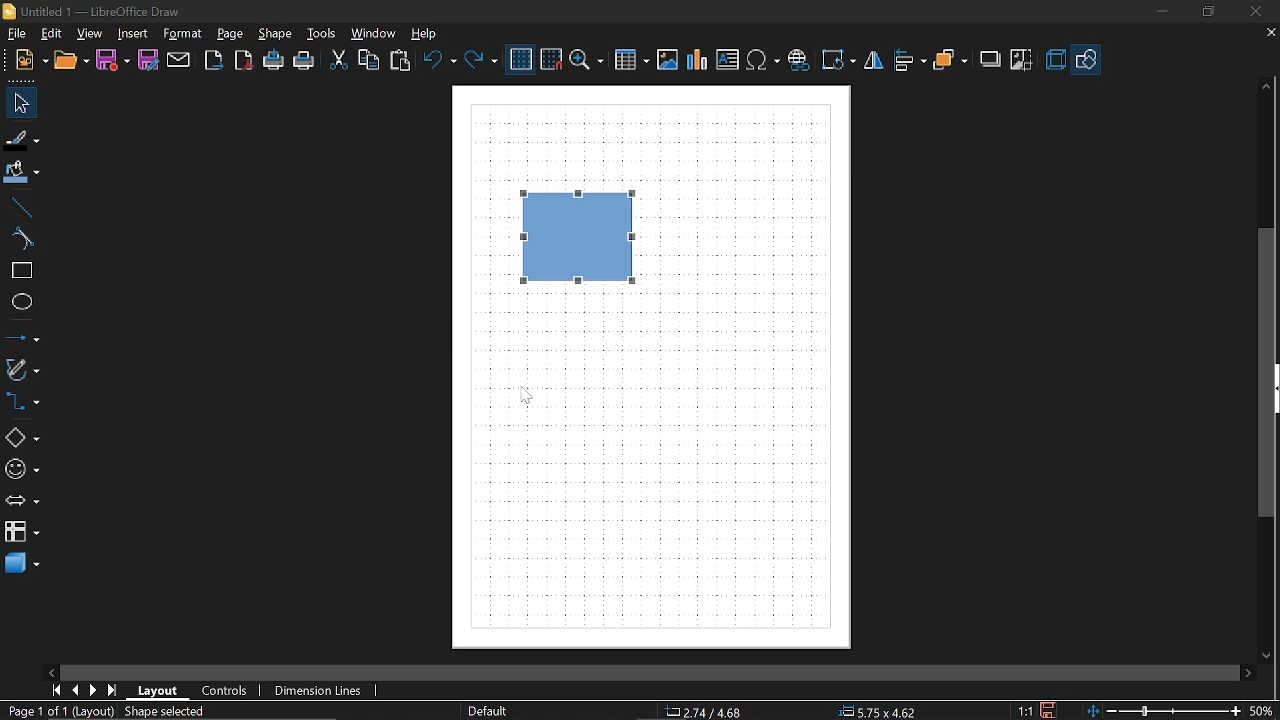  Describe the element at coordinates (56, 690) in the screenshot. I see `go to first page` at that location.